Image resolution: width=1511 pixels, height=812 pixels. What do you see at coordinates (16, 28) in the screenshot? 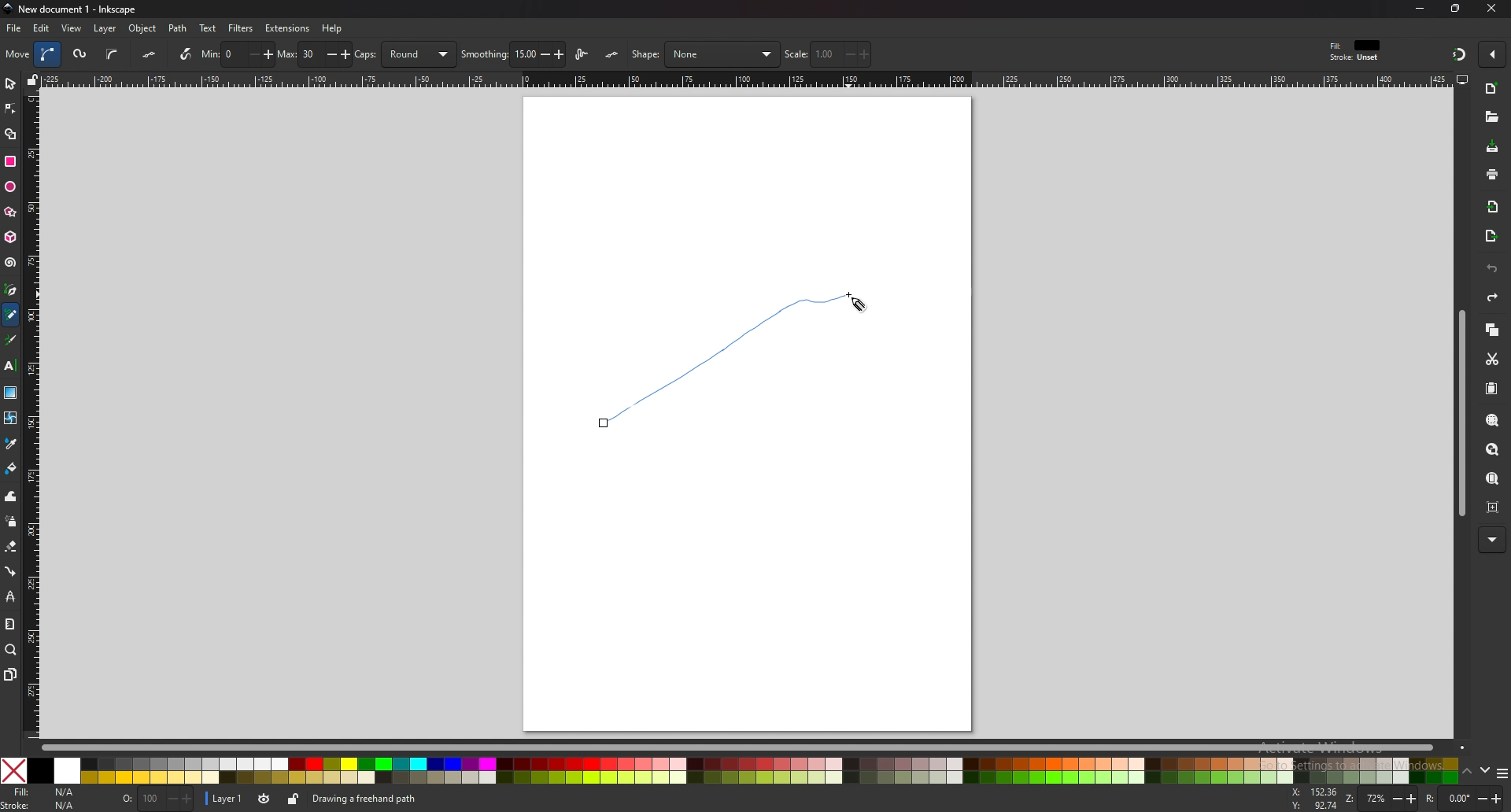
I see `file` at bounding box center [16, 28].